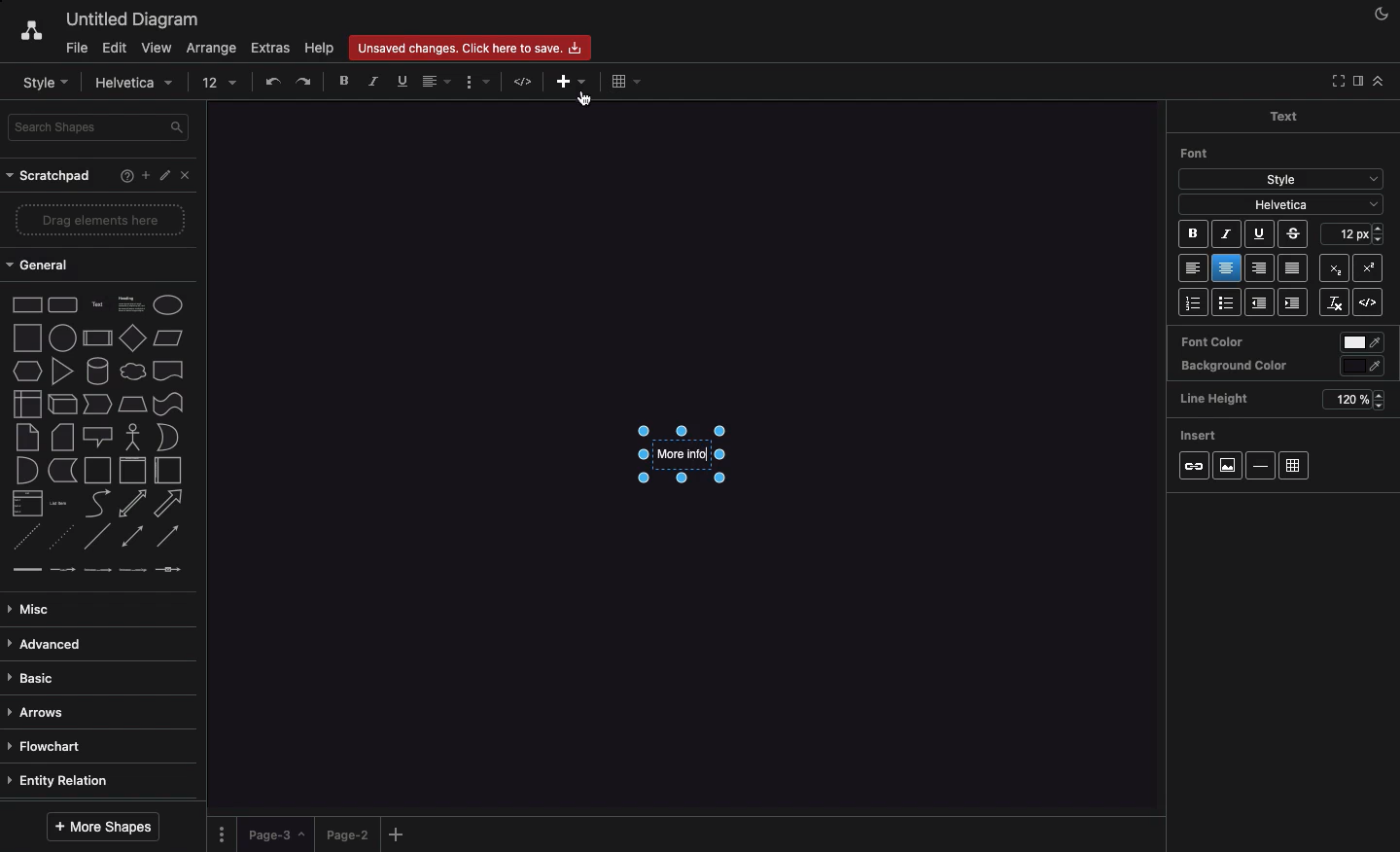 Image resolution: width=1400 pixels, height=852 pixels. I want to click on Redo, so click(305, 82).